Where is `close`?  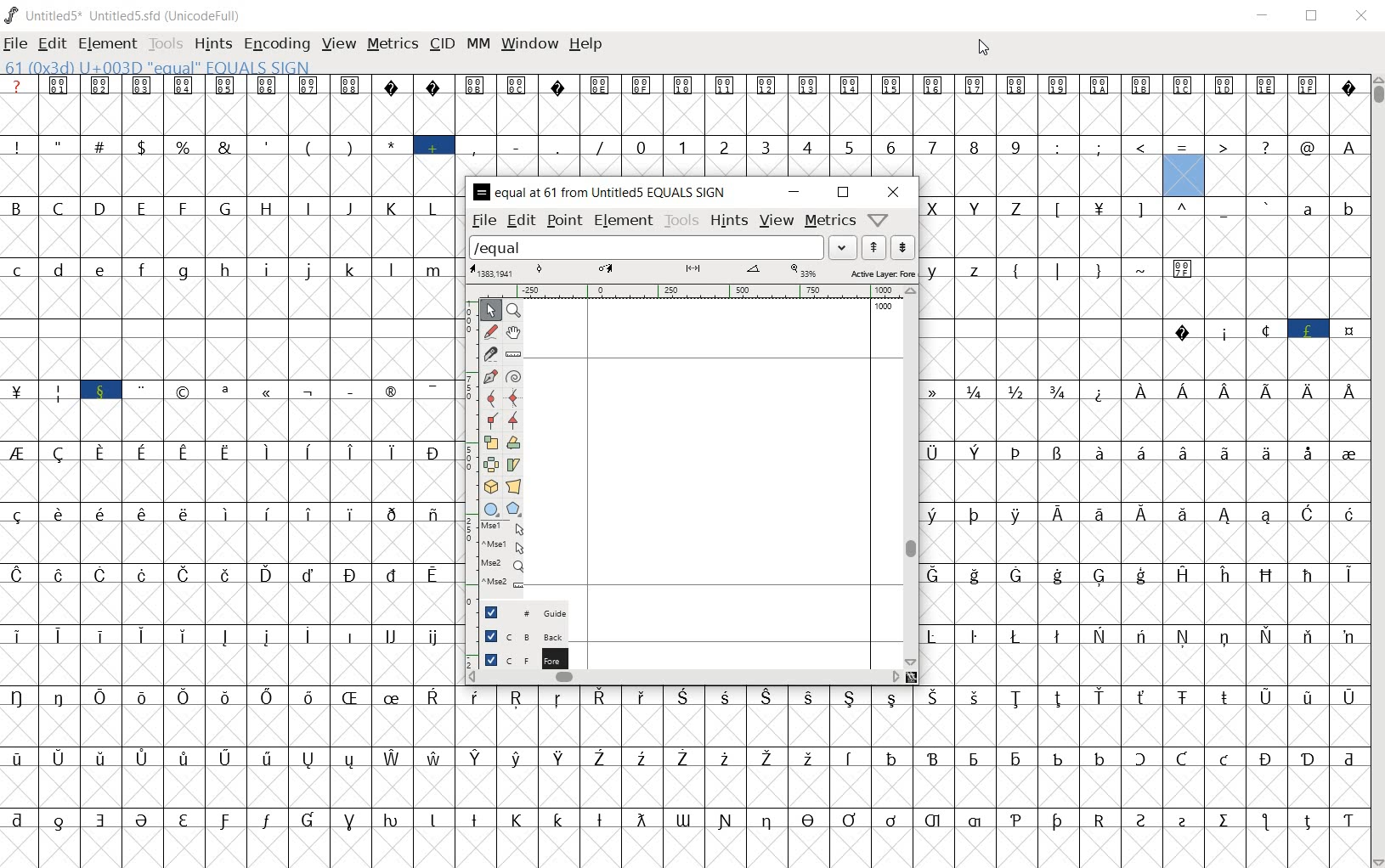
close is located at coordinates (895, 193).